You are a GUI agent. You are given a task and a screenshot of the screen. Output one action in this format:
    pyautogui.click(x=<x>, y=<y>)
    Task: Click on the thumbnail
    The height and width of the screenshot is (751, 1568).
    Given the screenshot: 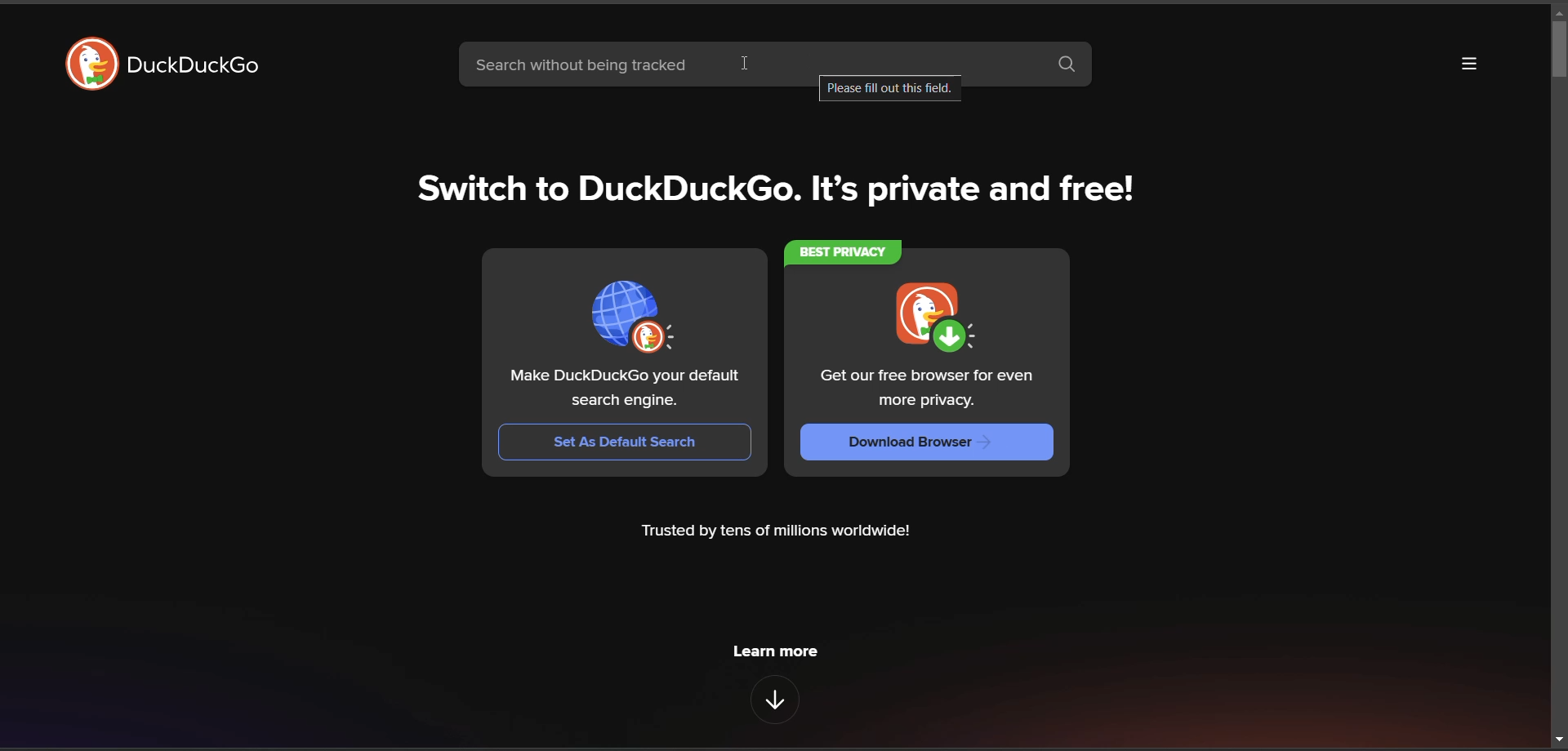 What is the action you would take?
    pyautogui.click(x=940, y=320)
    